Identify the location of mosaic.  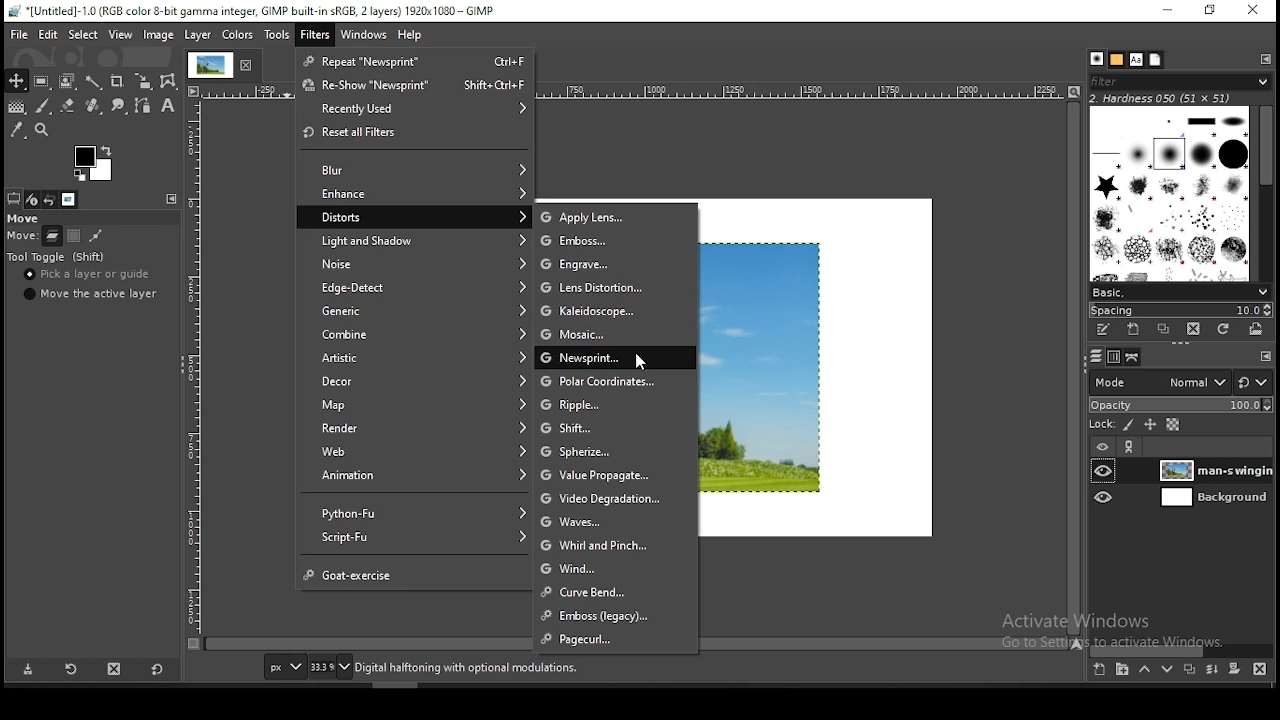
(614, 333).